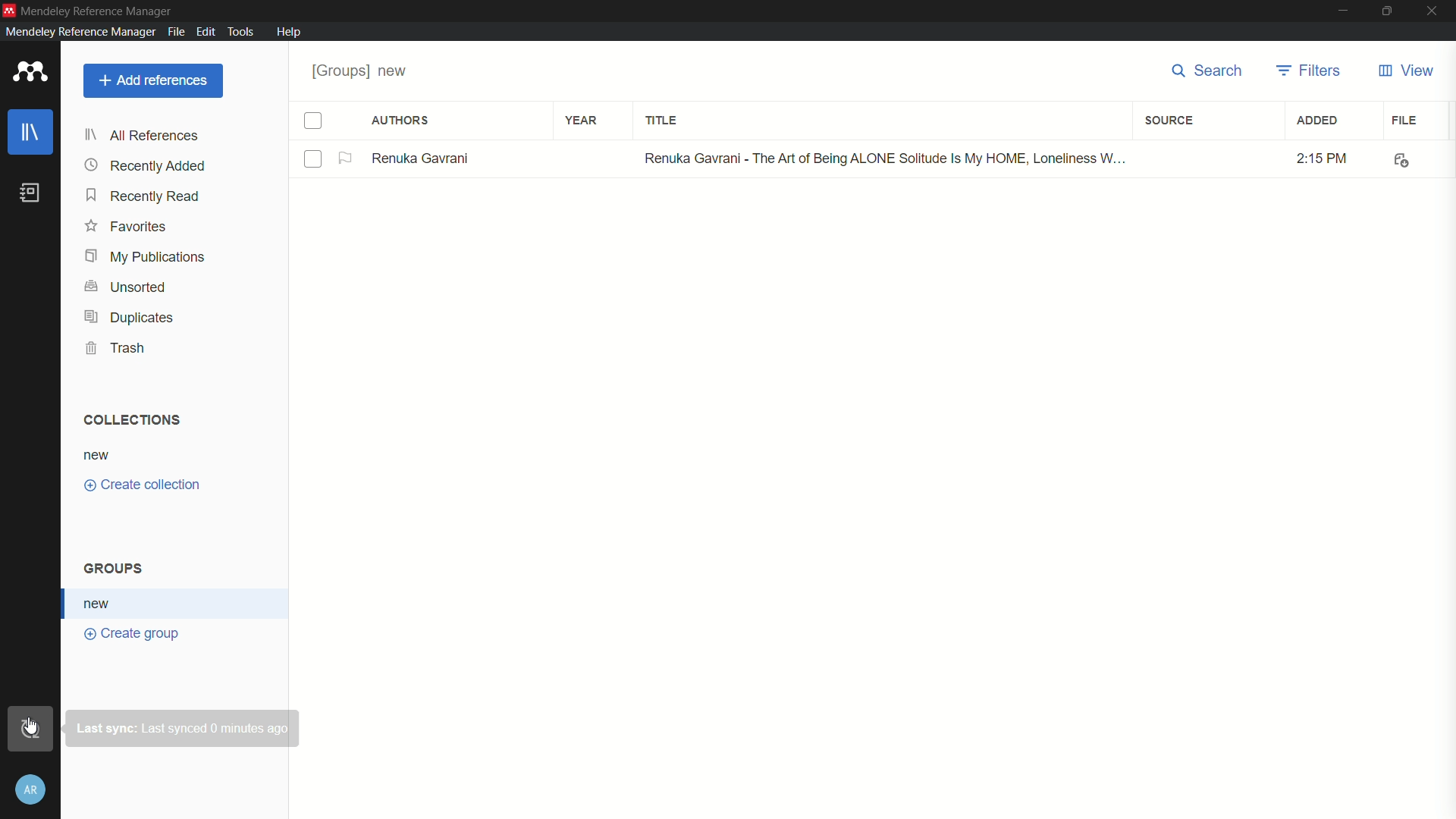 The width and height of the screenshot is (1456, 819). What do you see at coordinates (1398, 158) in the screenshot?
I see `File` at bounding box center [1398, 158].